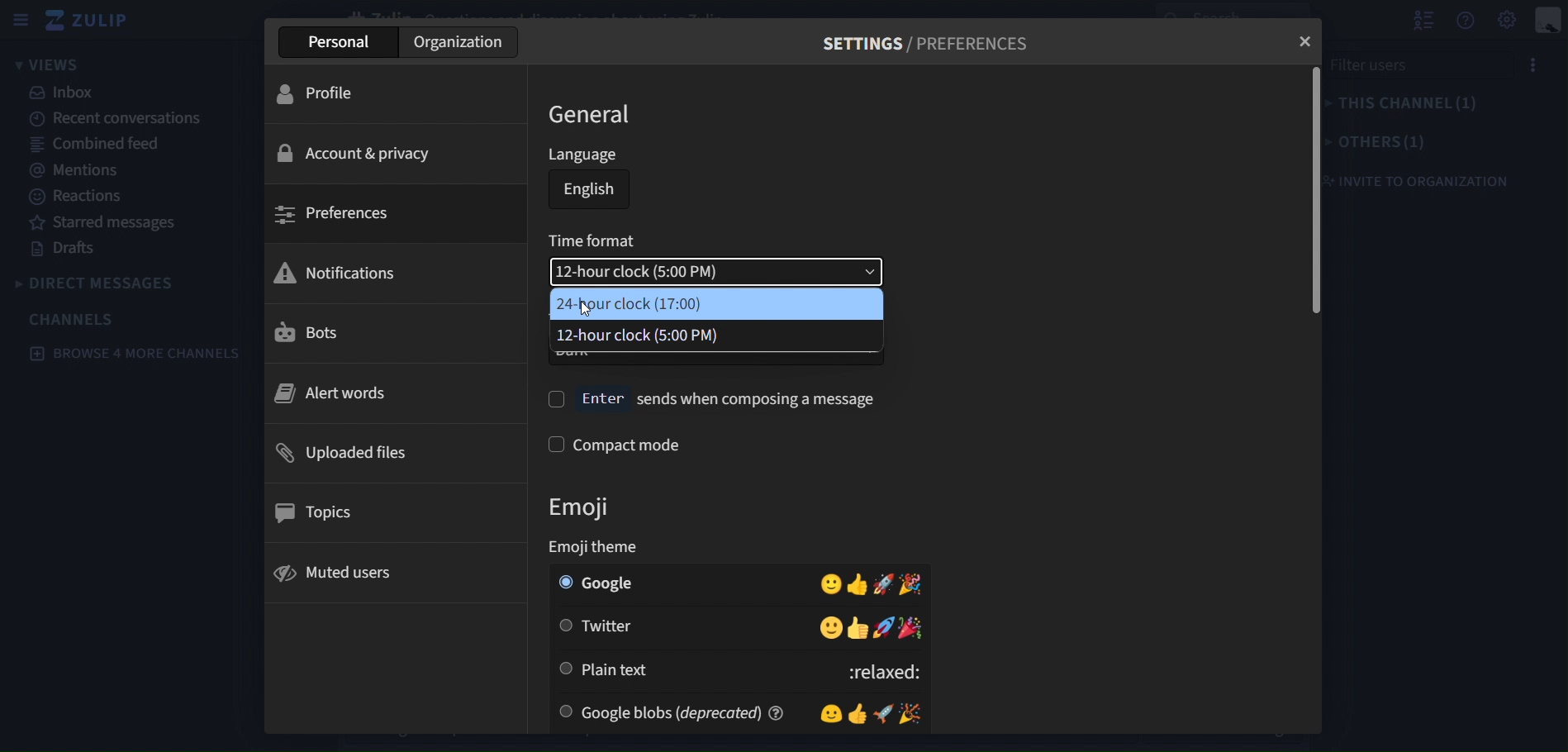  Describe the element at coordinates (72, 250) in the screenshot. I see `drafts` at that location.